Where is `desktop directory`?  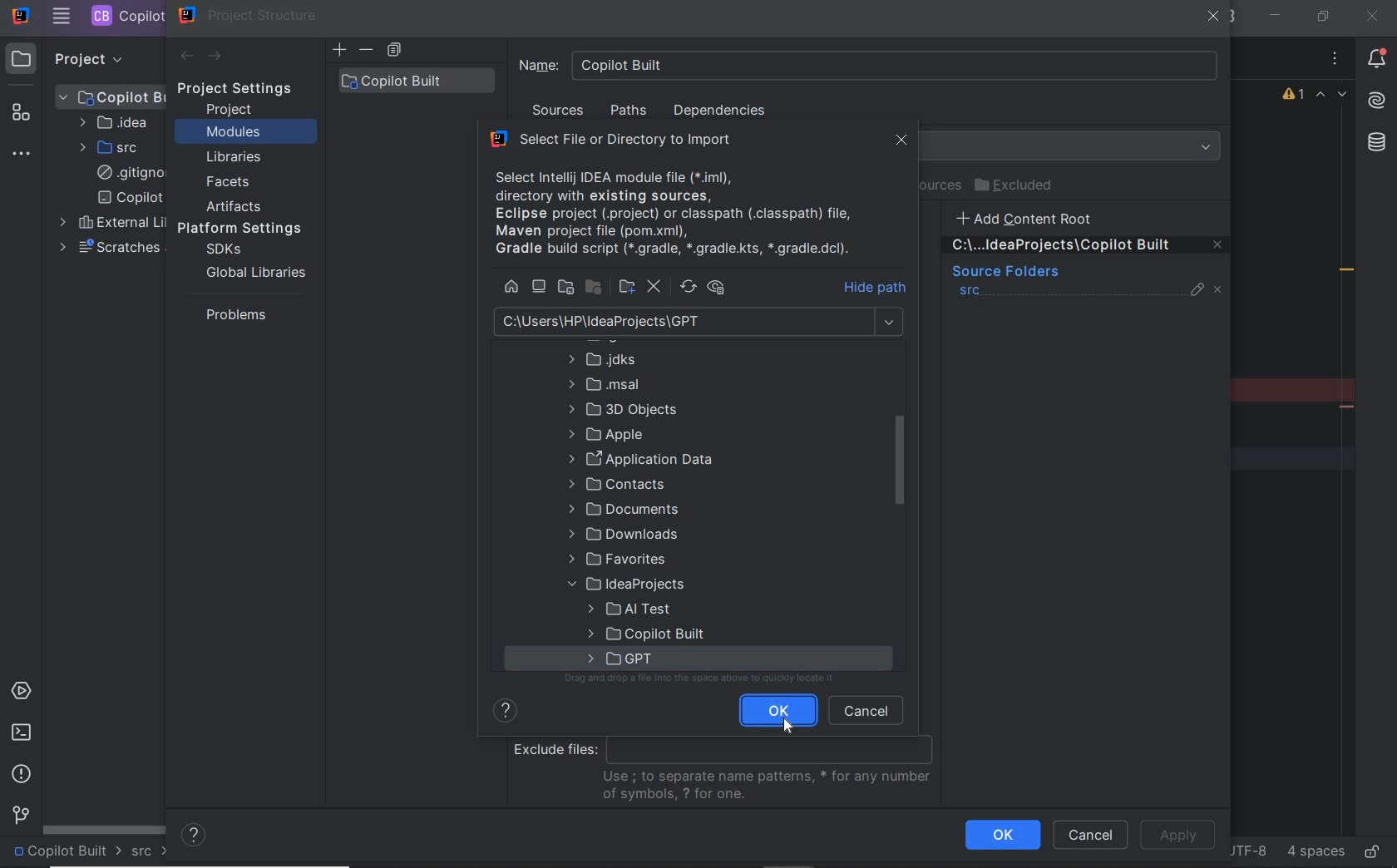
desktop directory is located at coordinates (539, 287).